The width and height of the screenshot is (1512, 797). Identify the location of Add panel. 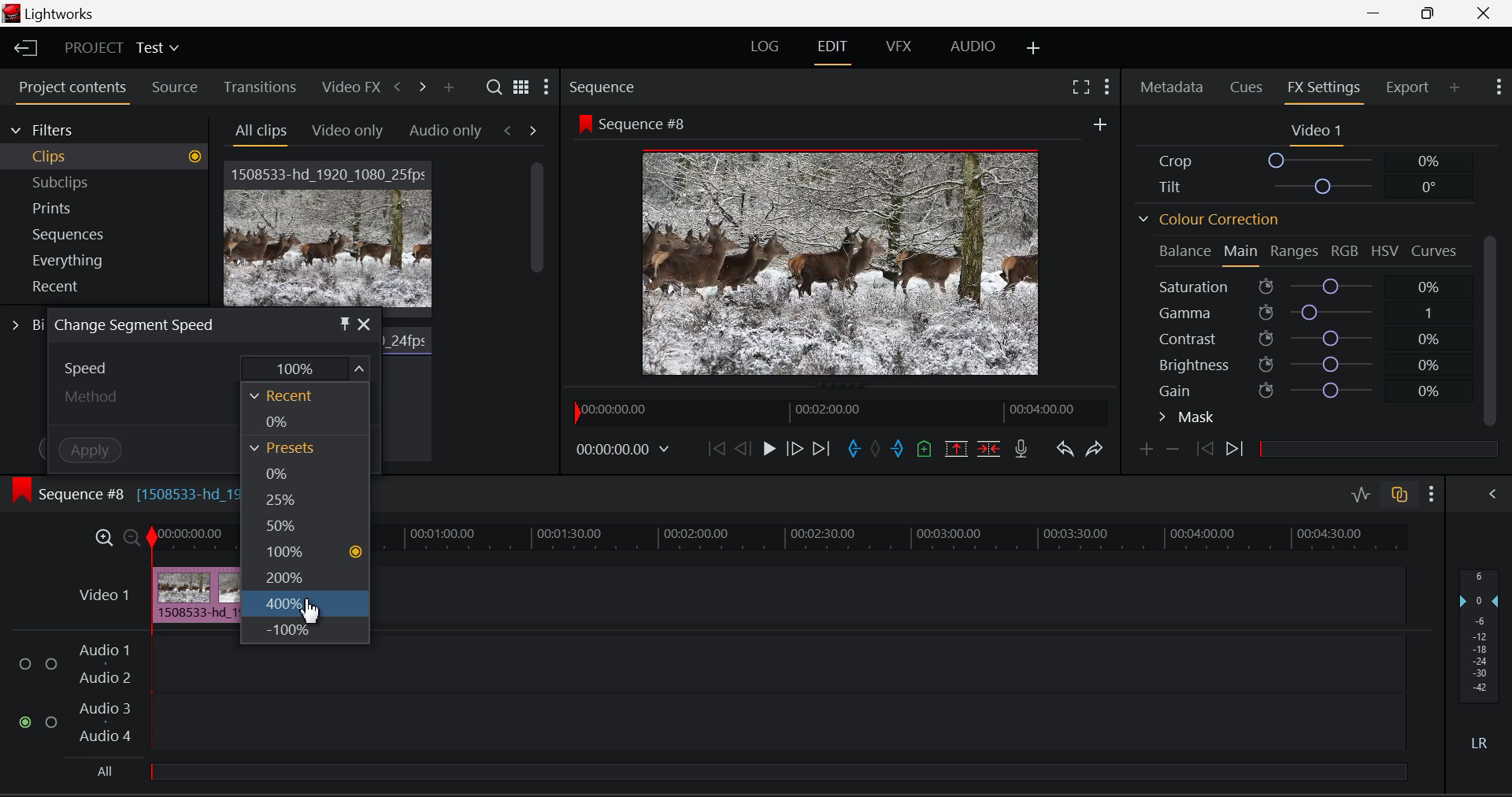
(451, 88).